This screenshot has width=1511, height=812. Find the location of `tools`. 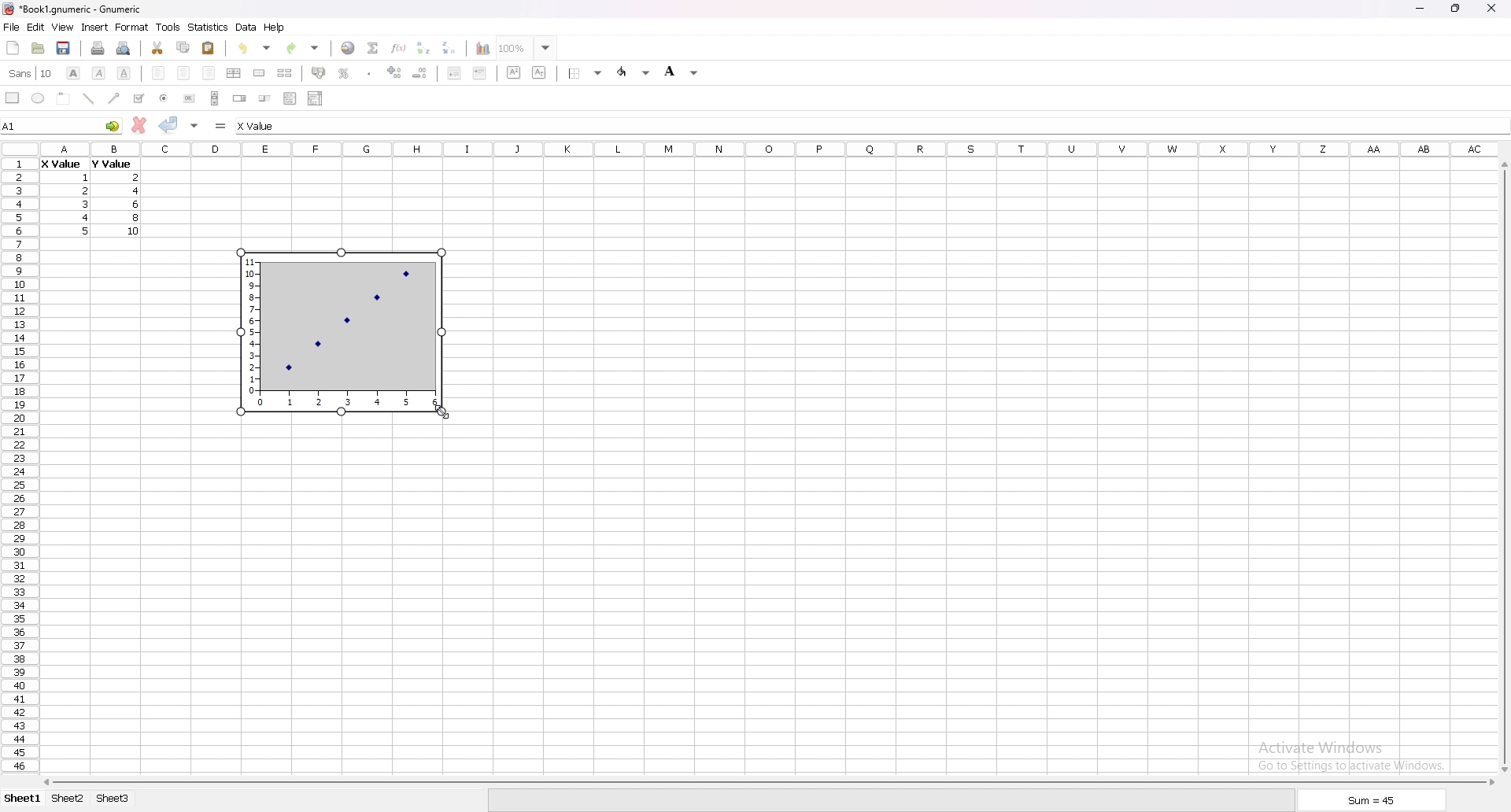

tools is located at coordinates (168, 27).